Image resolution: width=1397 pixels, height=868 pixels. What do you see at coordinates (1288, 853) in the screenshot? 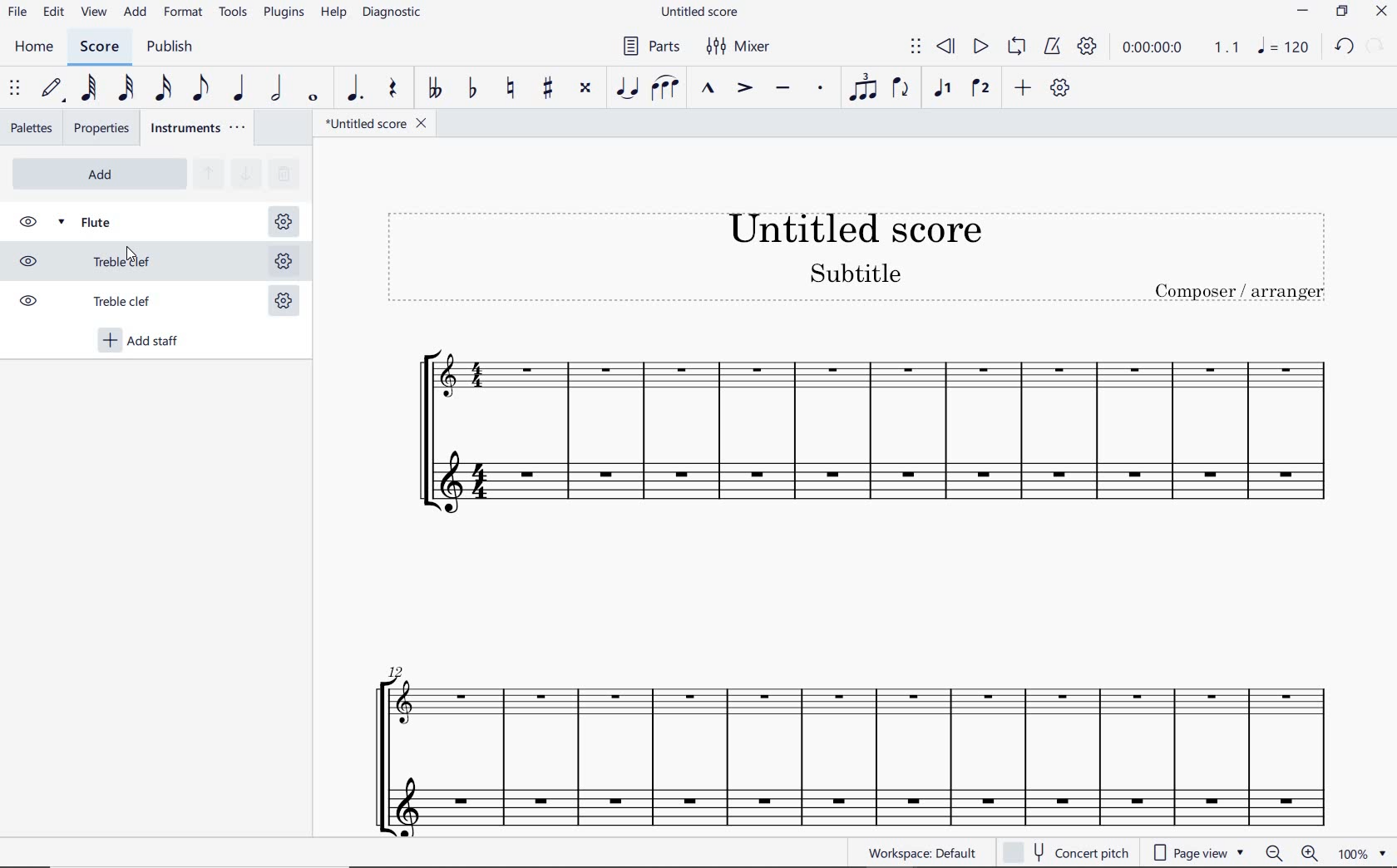
I see `zoom in or zoom out` at bounding box center [1288, 853].